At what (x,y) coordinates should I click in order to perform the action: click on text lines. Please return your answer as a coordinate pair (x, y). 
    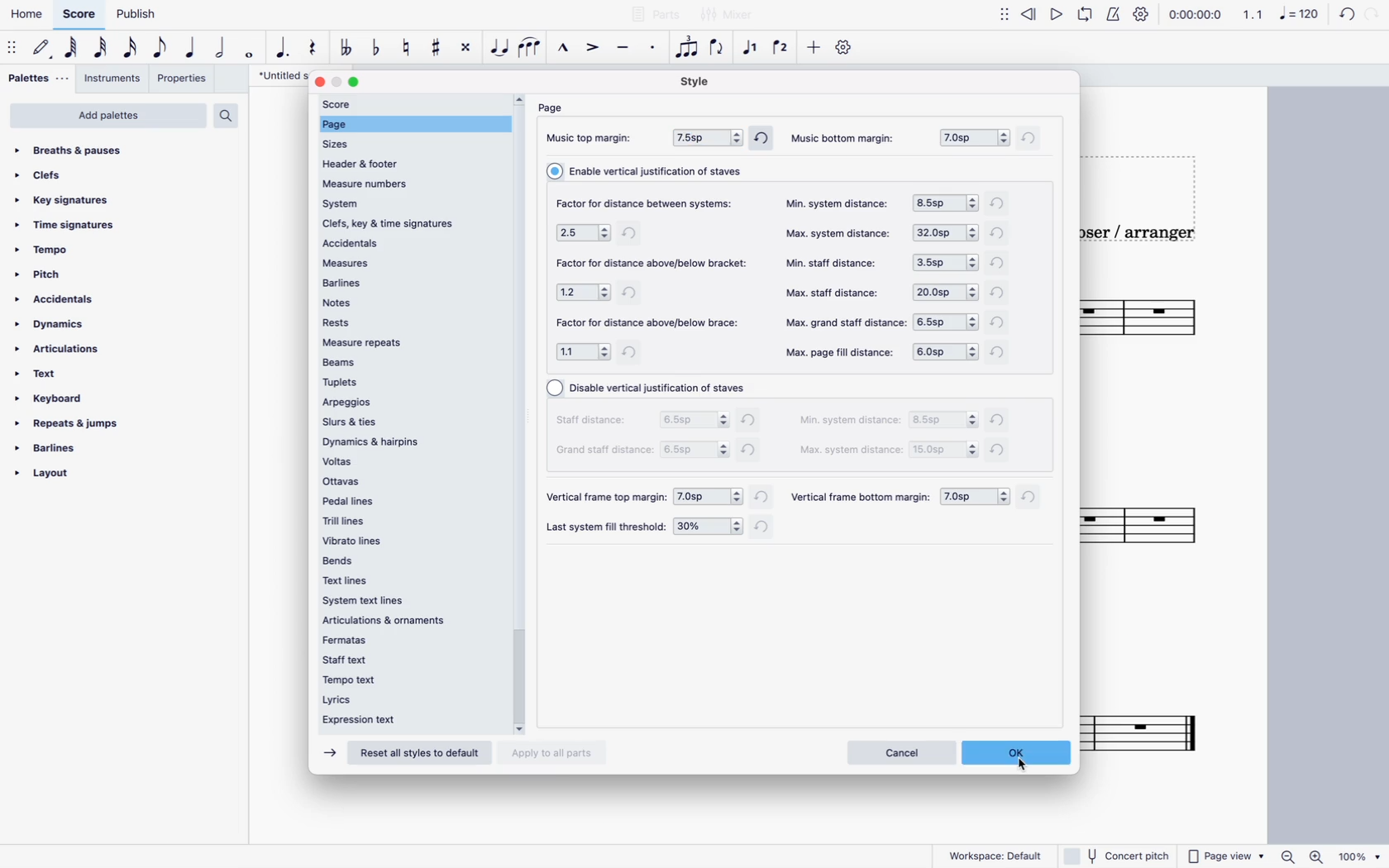
    Looking at the image, I should click on (360, 581).